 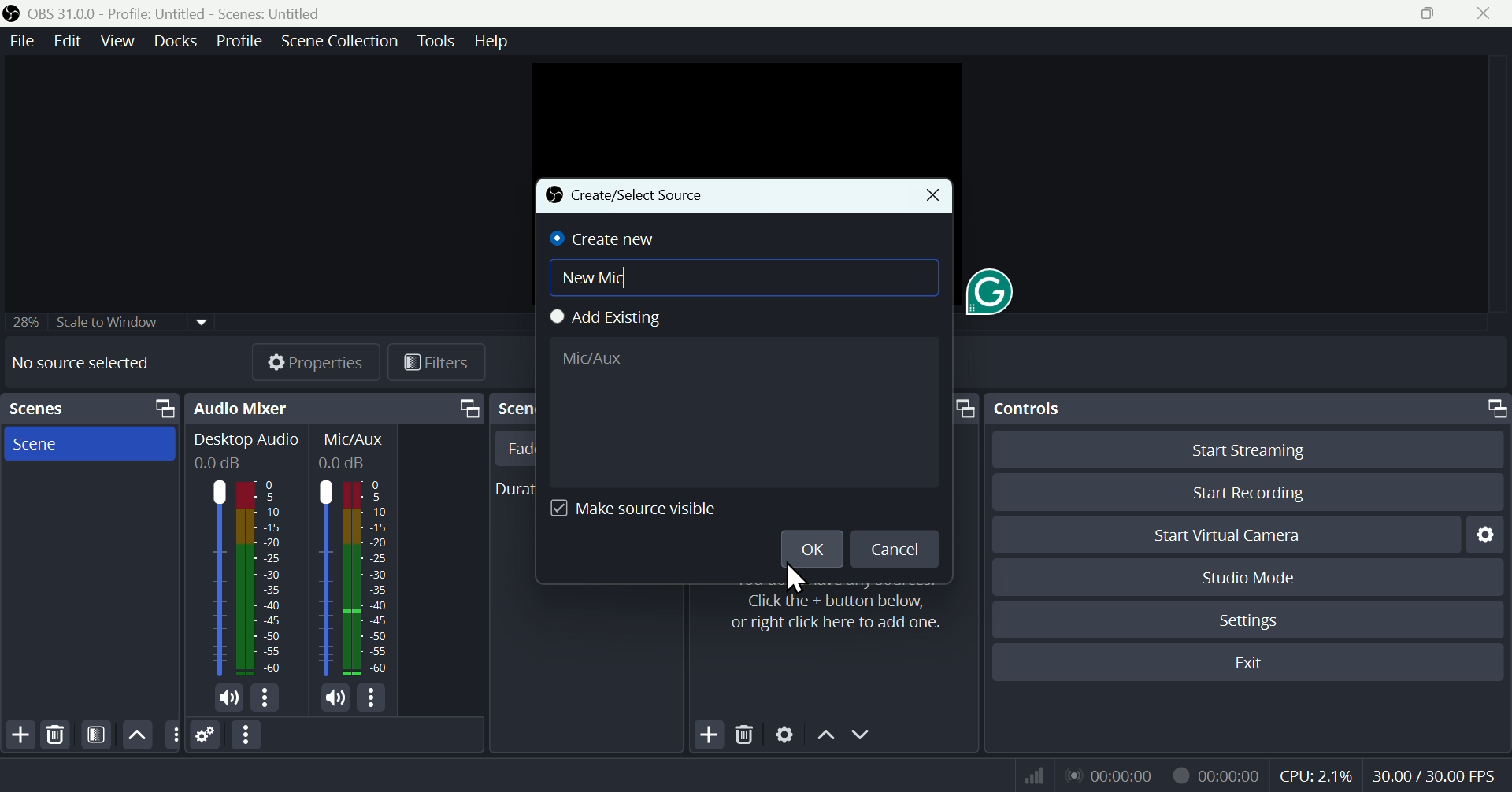 I want to click on Close, so click(x=931, y=196).